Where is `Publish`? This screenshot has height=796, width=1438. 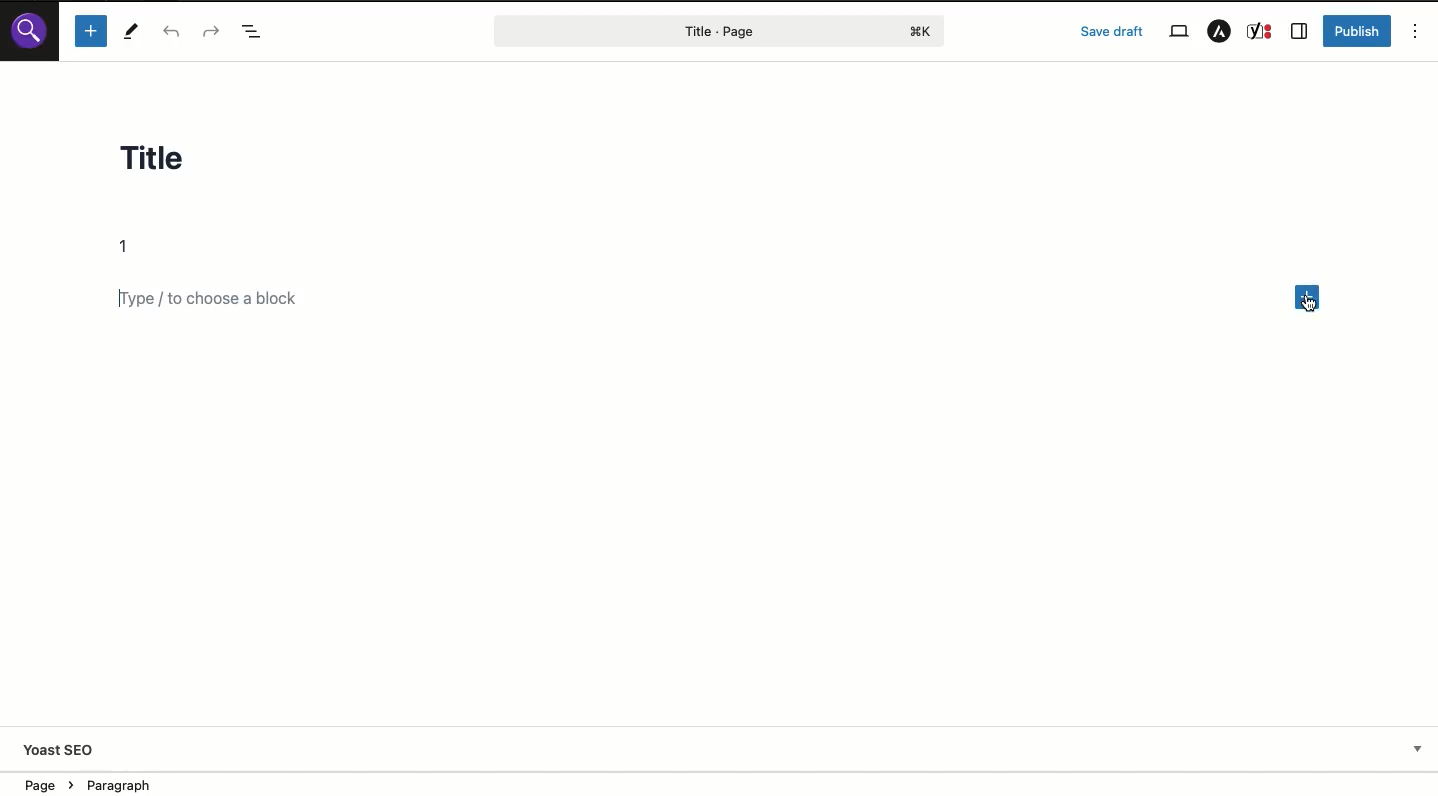
Publish is located at coordinates (1359, 31).